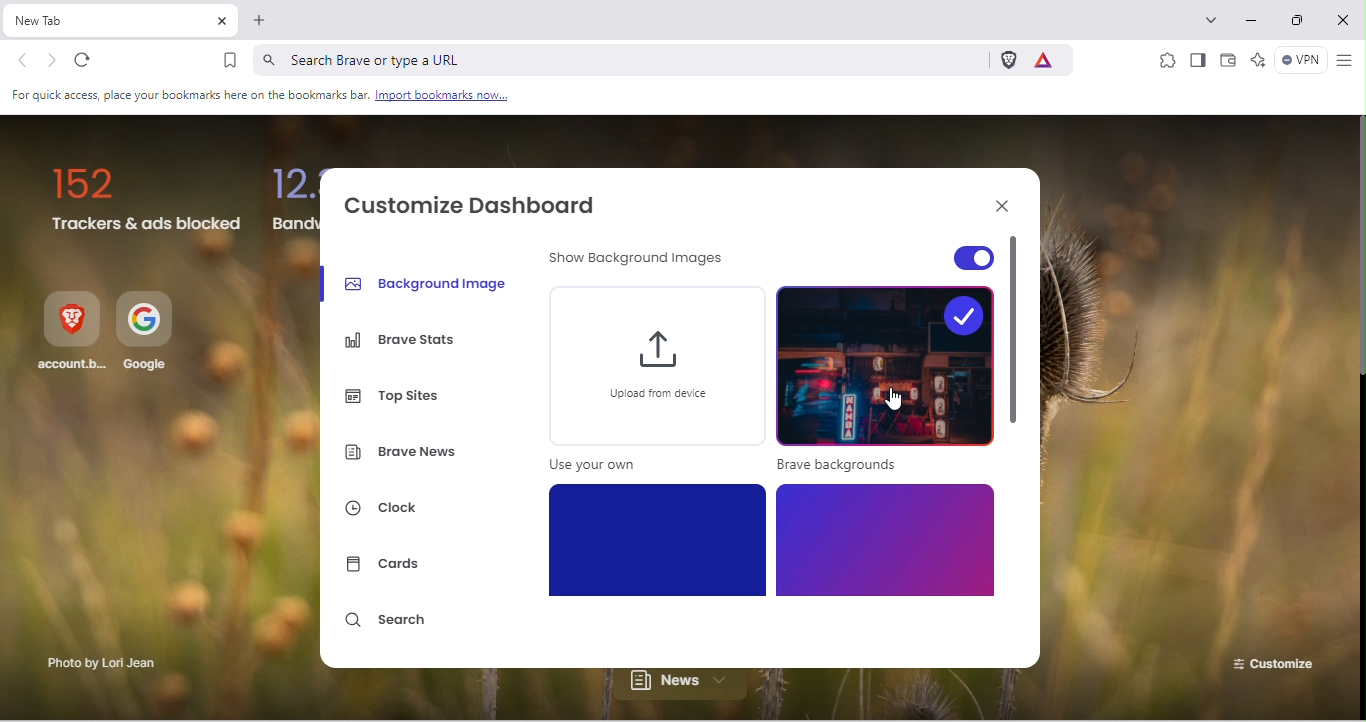 This screenshot has height=722, width=1366. What do you see at coordinates (1357, 247) in the screenshot?
I see `Vertical scroll bar` at bounding box center [1357, 247].